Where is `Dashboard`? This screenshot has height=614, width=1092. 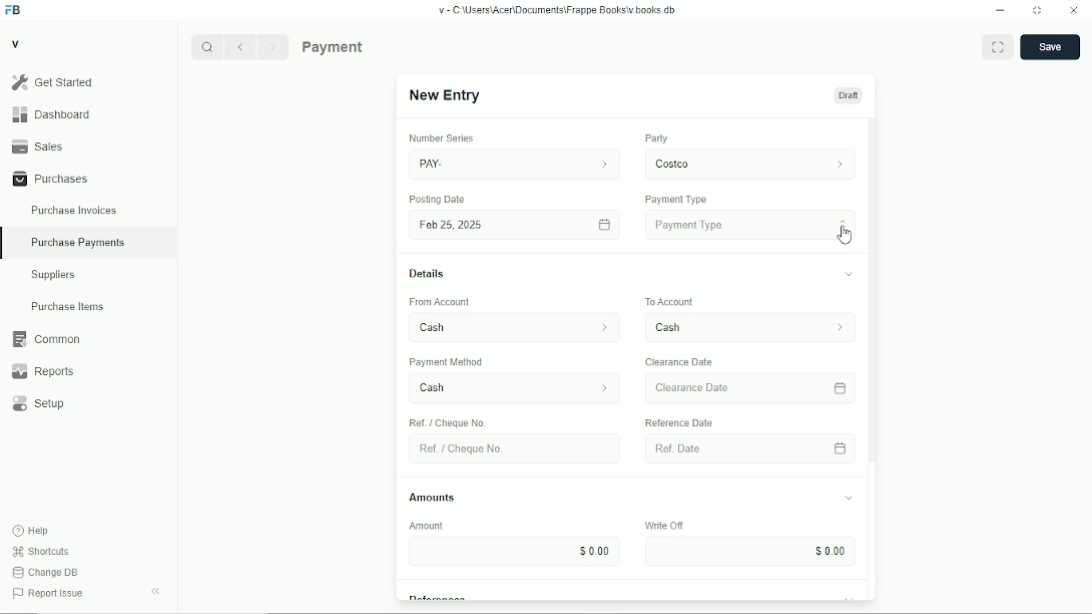 Dashboard is located at coordinates (88, 114).